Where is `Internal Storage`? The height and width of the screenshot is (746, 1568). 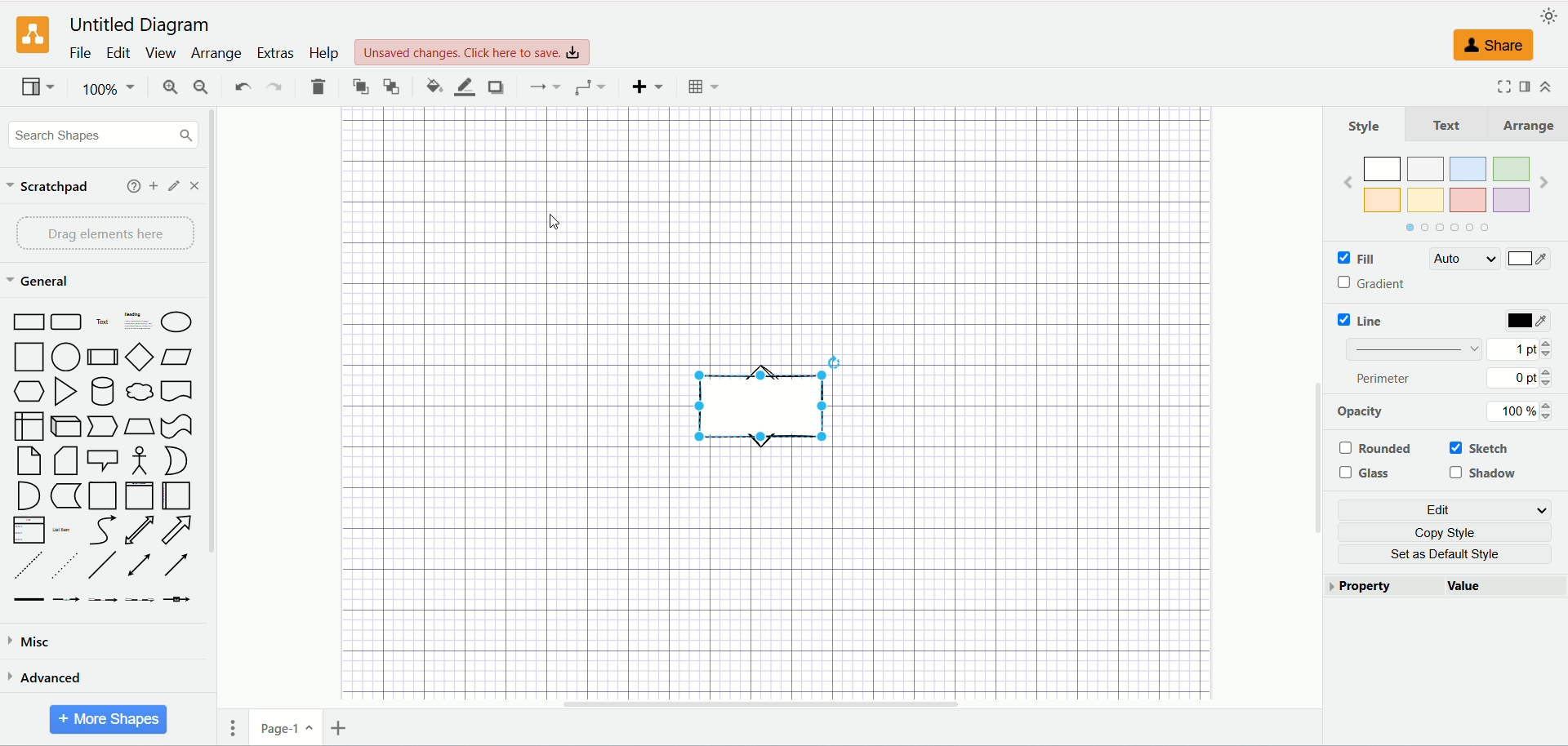
Internal Storage is located at coordinates (25, 426).